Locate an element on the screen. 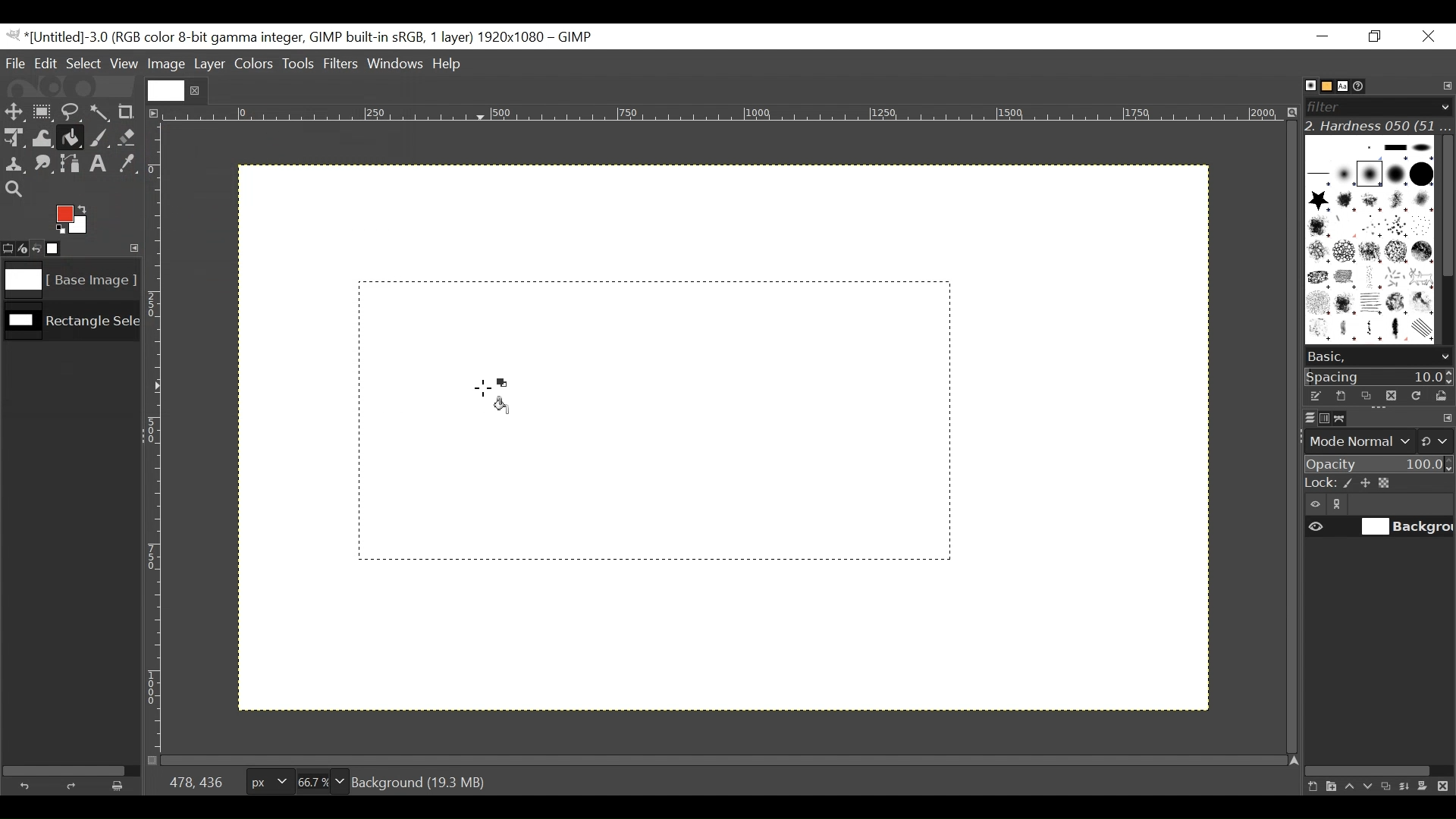  Layer is located at coordinates (209, 63).